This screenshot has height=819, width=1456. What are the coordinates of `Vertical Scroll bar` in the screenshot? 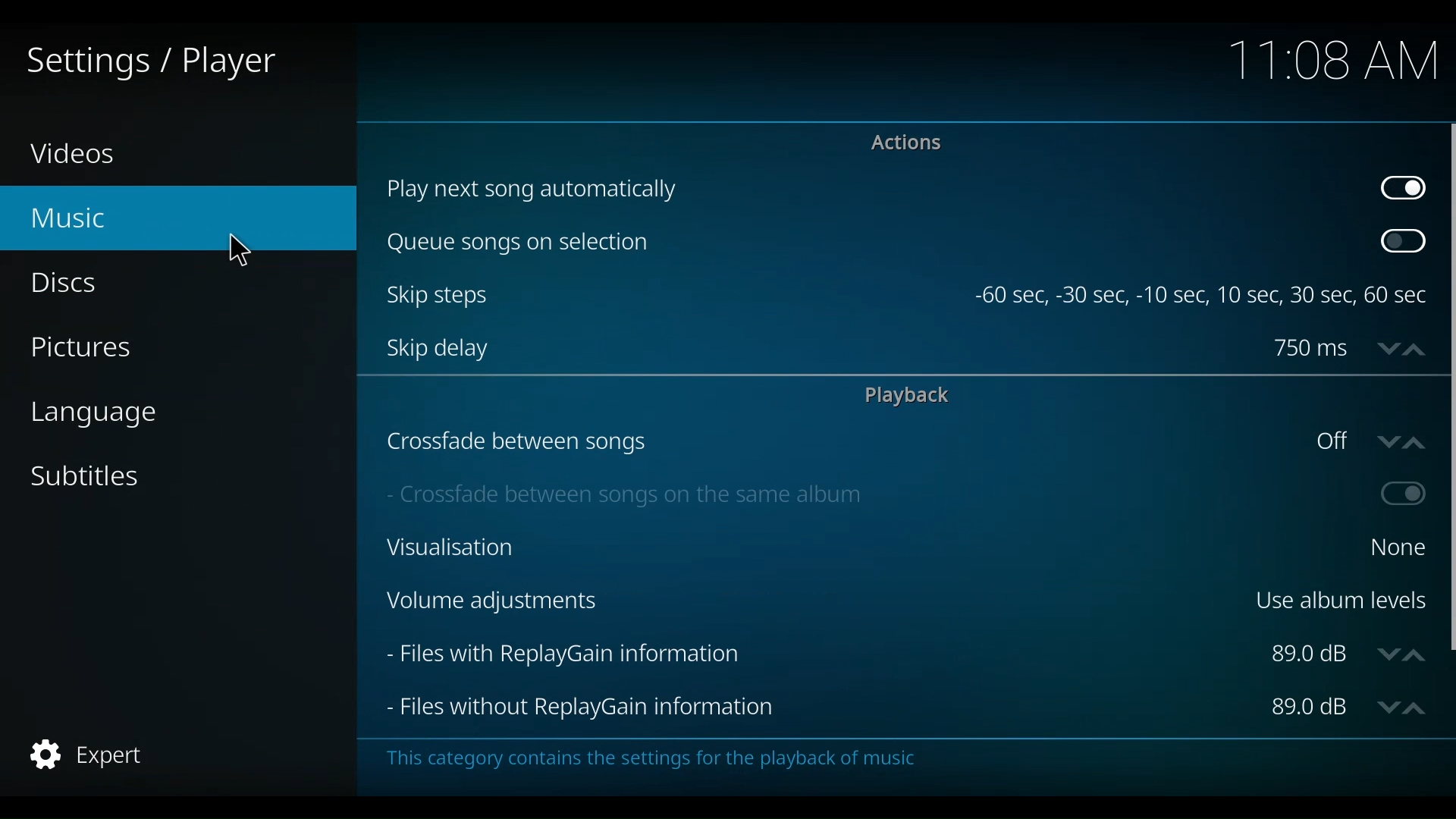 It's located at (1447, 386).